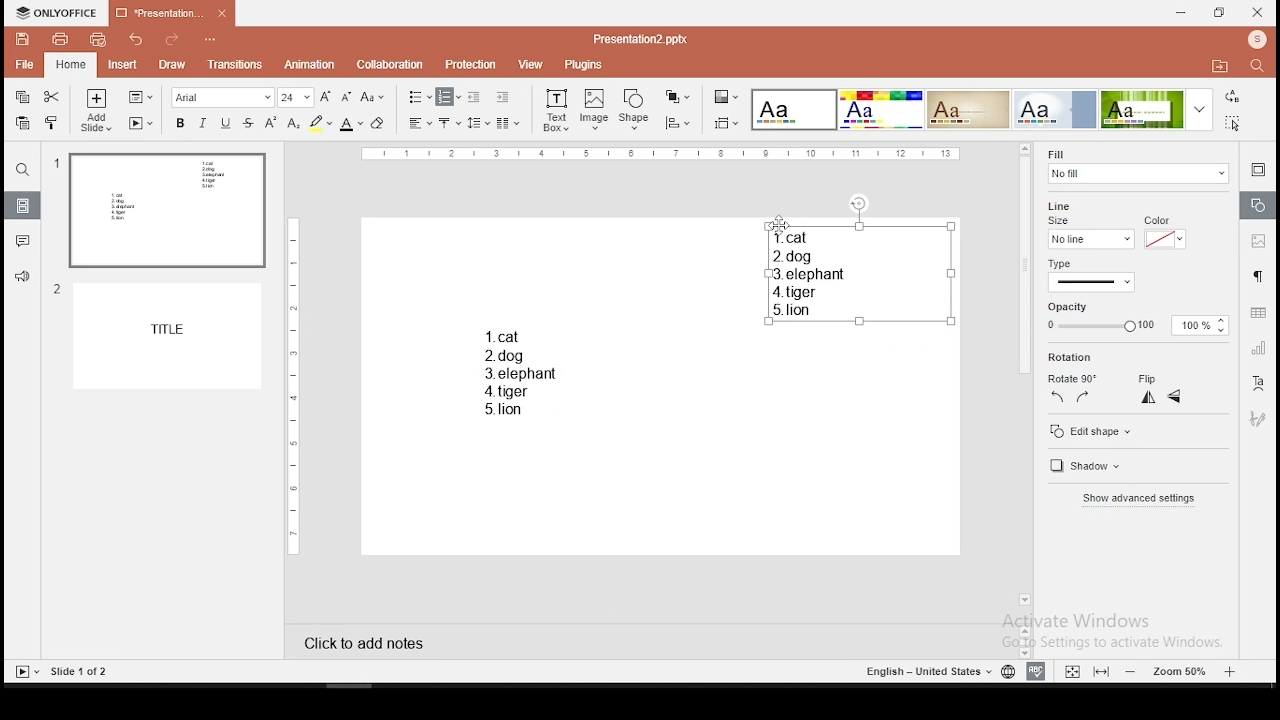 This screenshot has height=720, width=1280. What do you see at coordinates (1006, 670) in the screenshot?
I see `language` at bounding box center [1006, 670].